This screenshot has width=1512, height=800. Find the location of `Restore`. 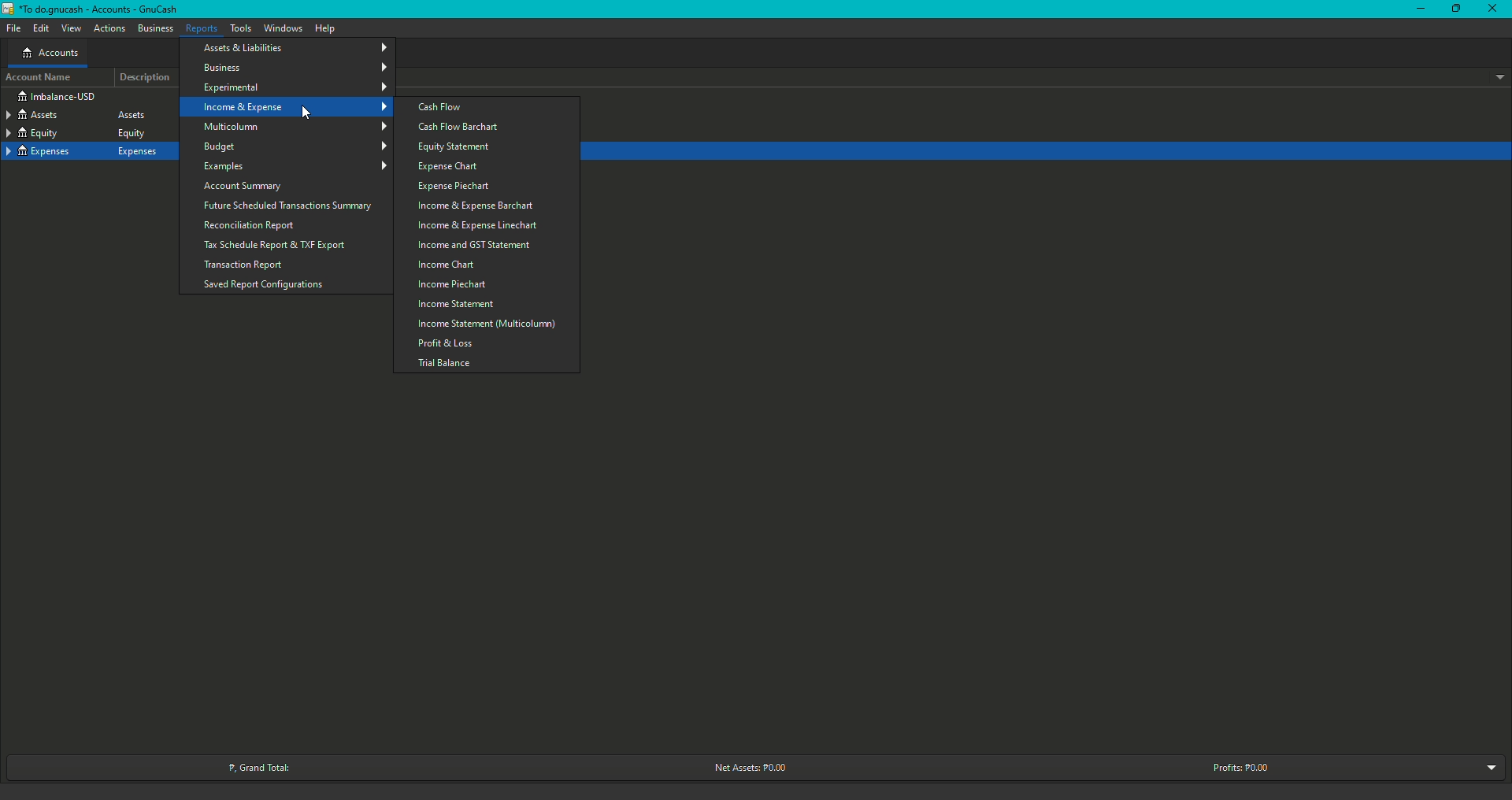

Restore is located at coordinates (1452, 10).